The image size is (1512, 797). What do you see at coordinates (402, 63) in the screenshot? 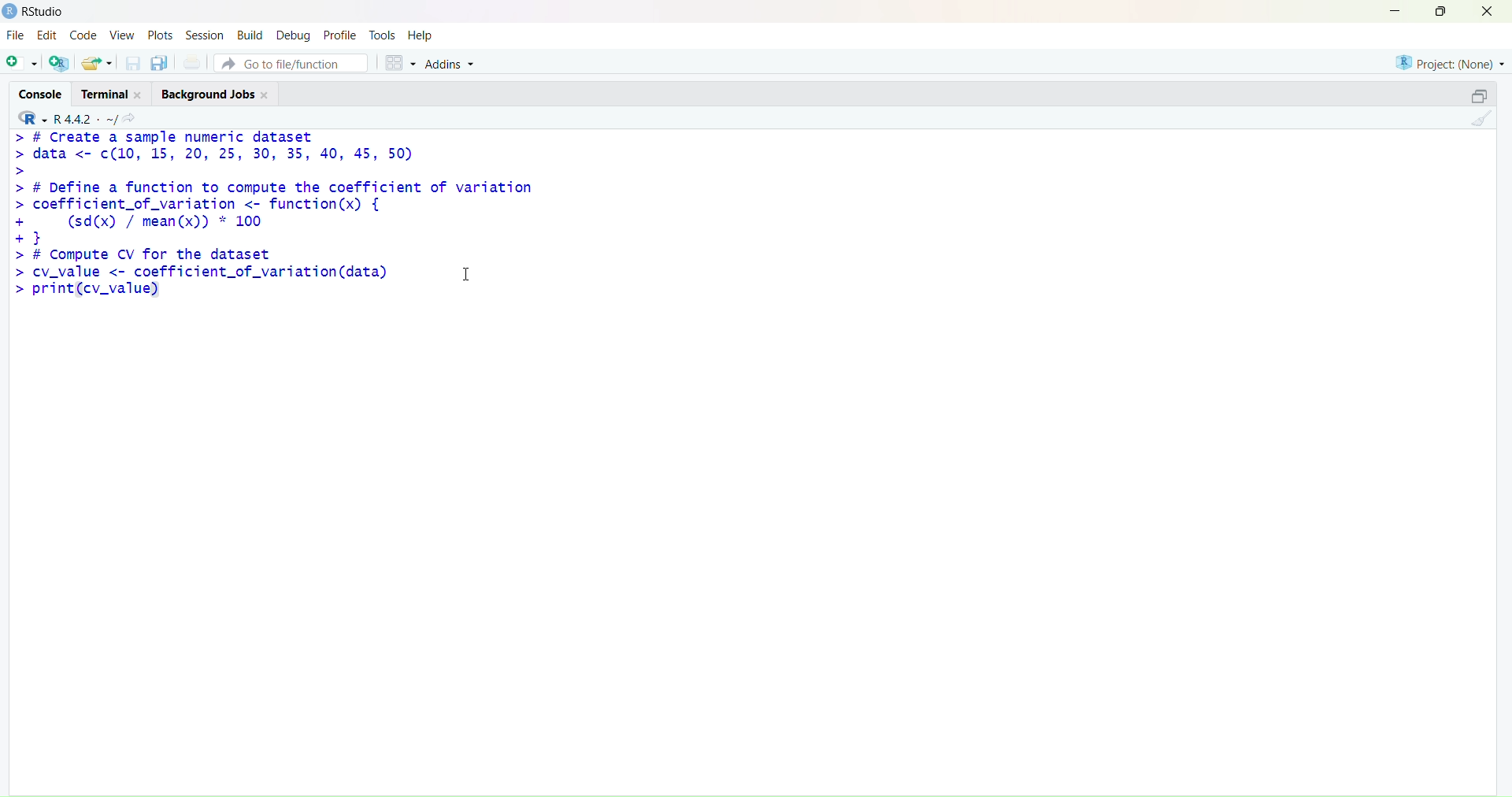
I see `grid` at bounding box center [402, 63].